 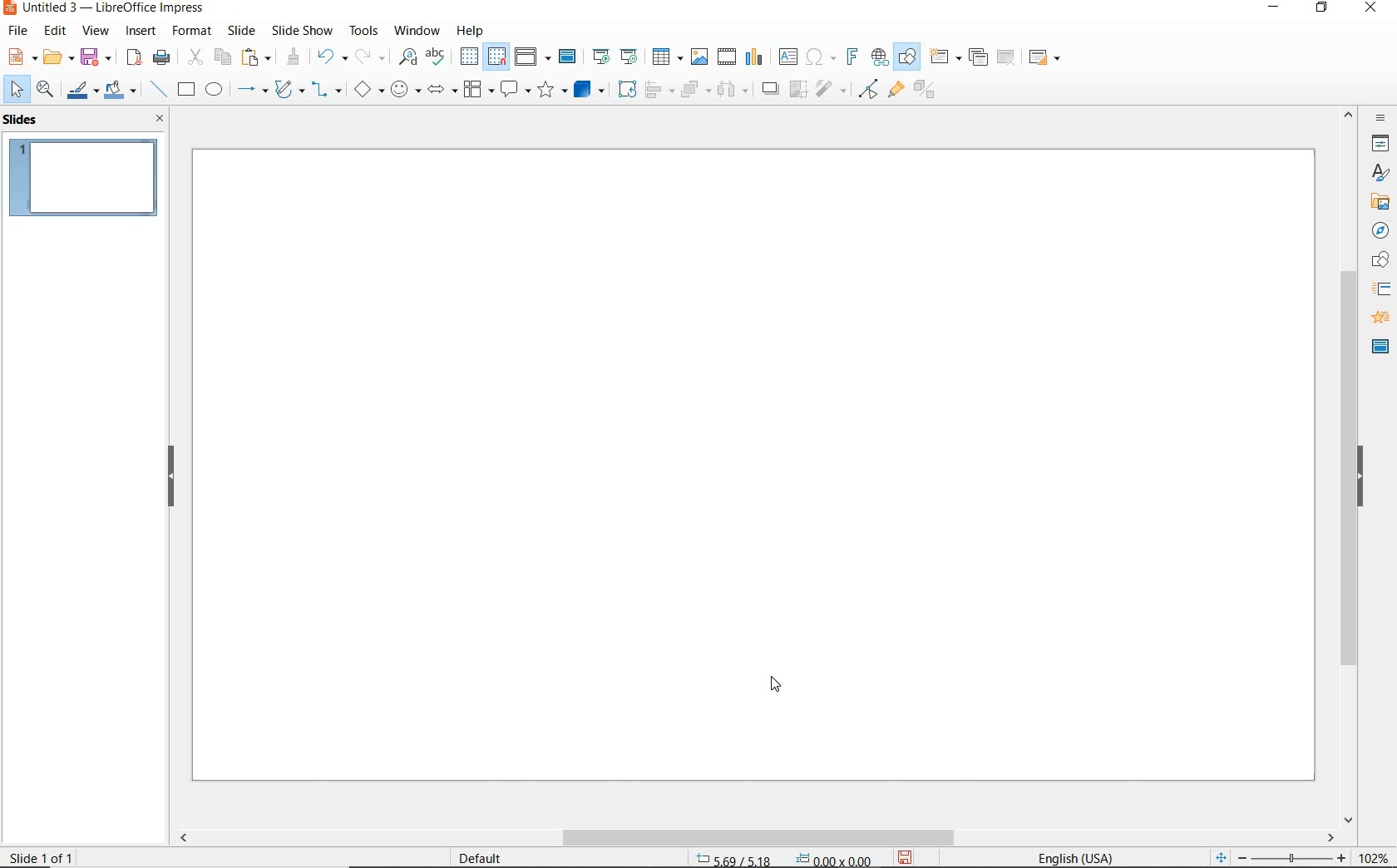 What do you see at coordinates (368, 91) in the screenshot?
I see `BASIC SHAPES` at bounding box center [368, 91].